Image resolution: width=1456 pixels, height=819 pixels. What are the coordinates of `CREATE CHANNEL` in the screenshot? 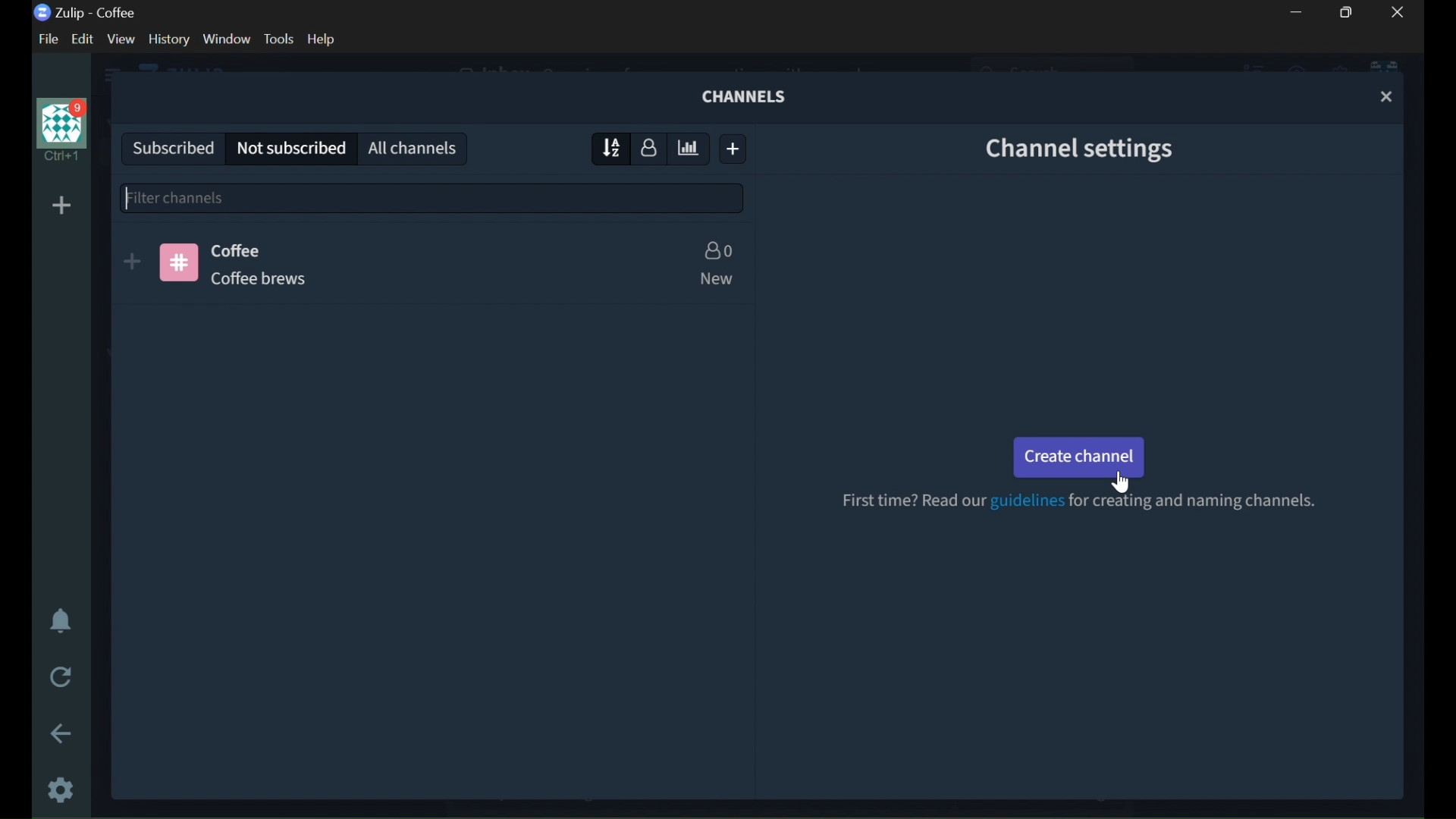 It's located at (1078, 454).